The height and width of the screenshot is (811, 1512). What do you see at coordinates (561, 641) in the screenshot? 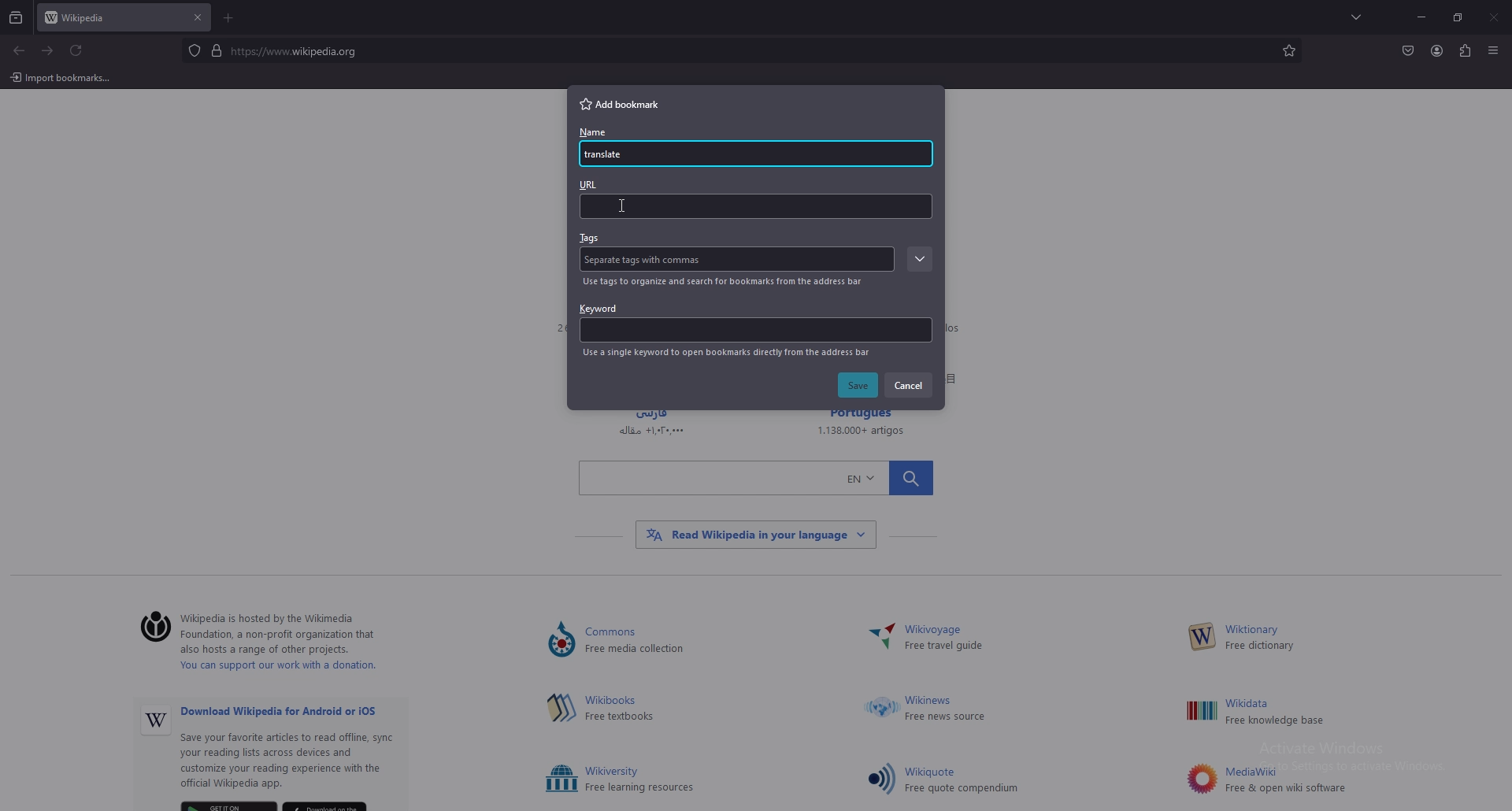
I see `` at bounding box center [561, 641].